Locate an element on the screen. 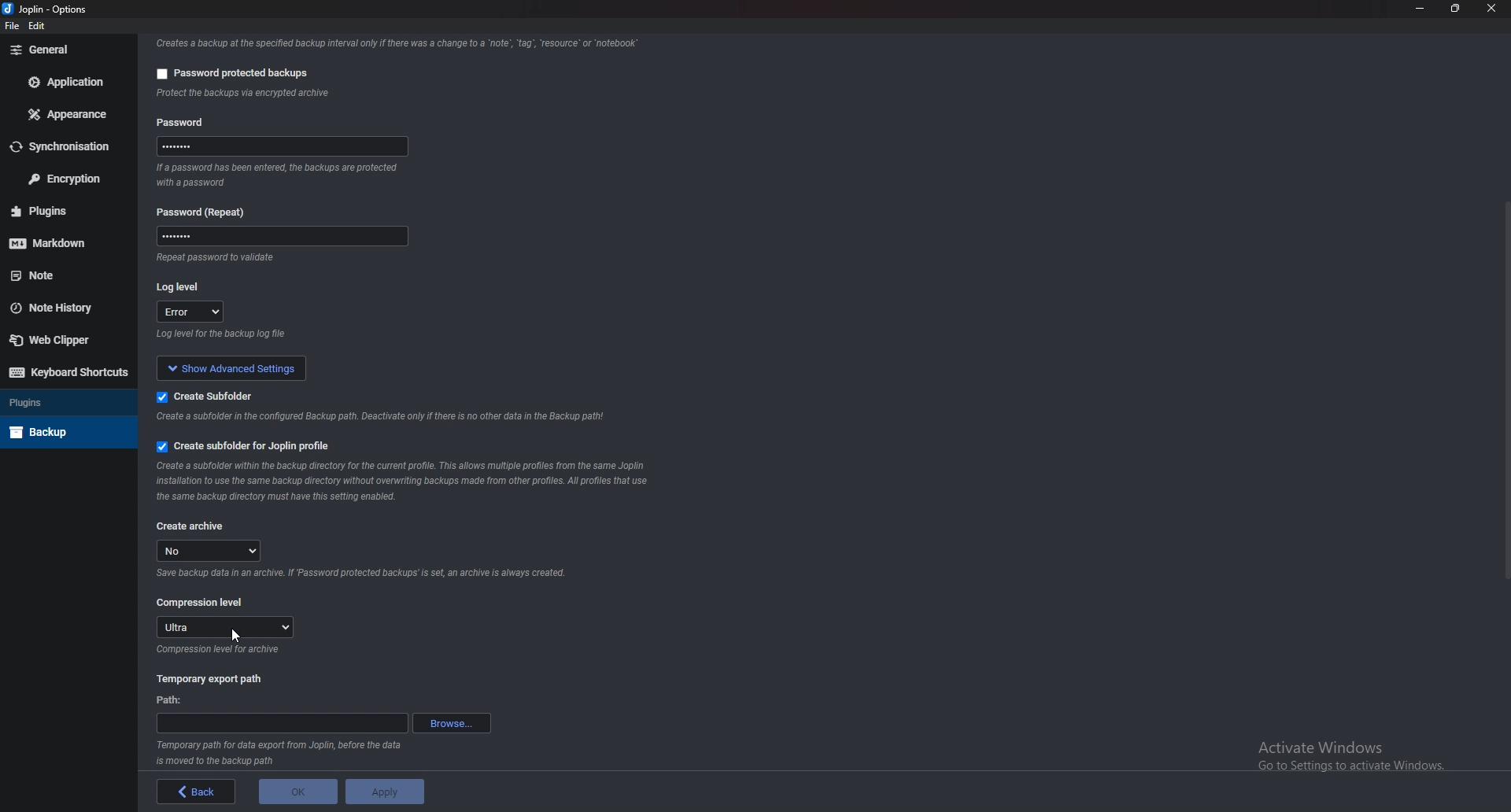 Image resolution: width=1511 pixels, height=812 pixels. Compression level is located at coordinates (202, 602).